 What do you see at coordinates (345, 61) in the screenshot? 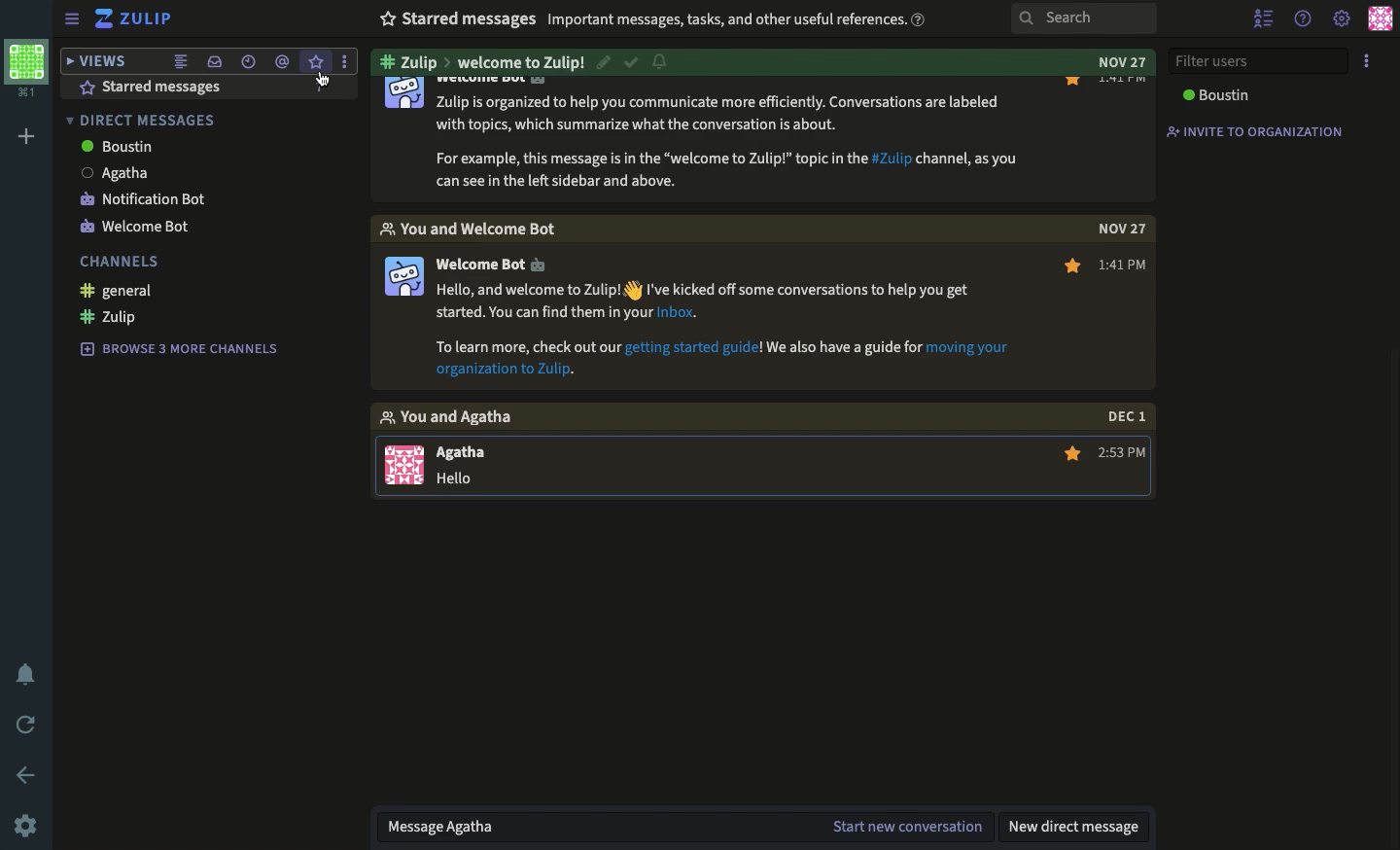
I see `options` at bounding box center [345, 61].